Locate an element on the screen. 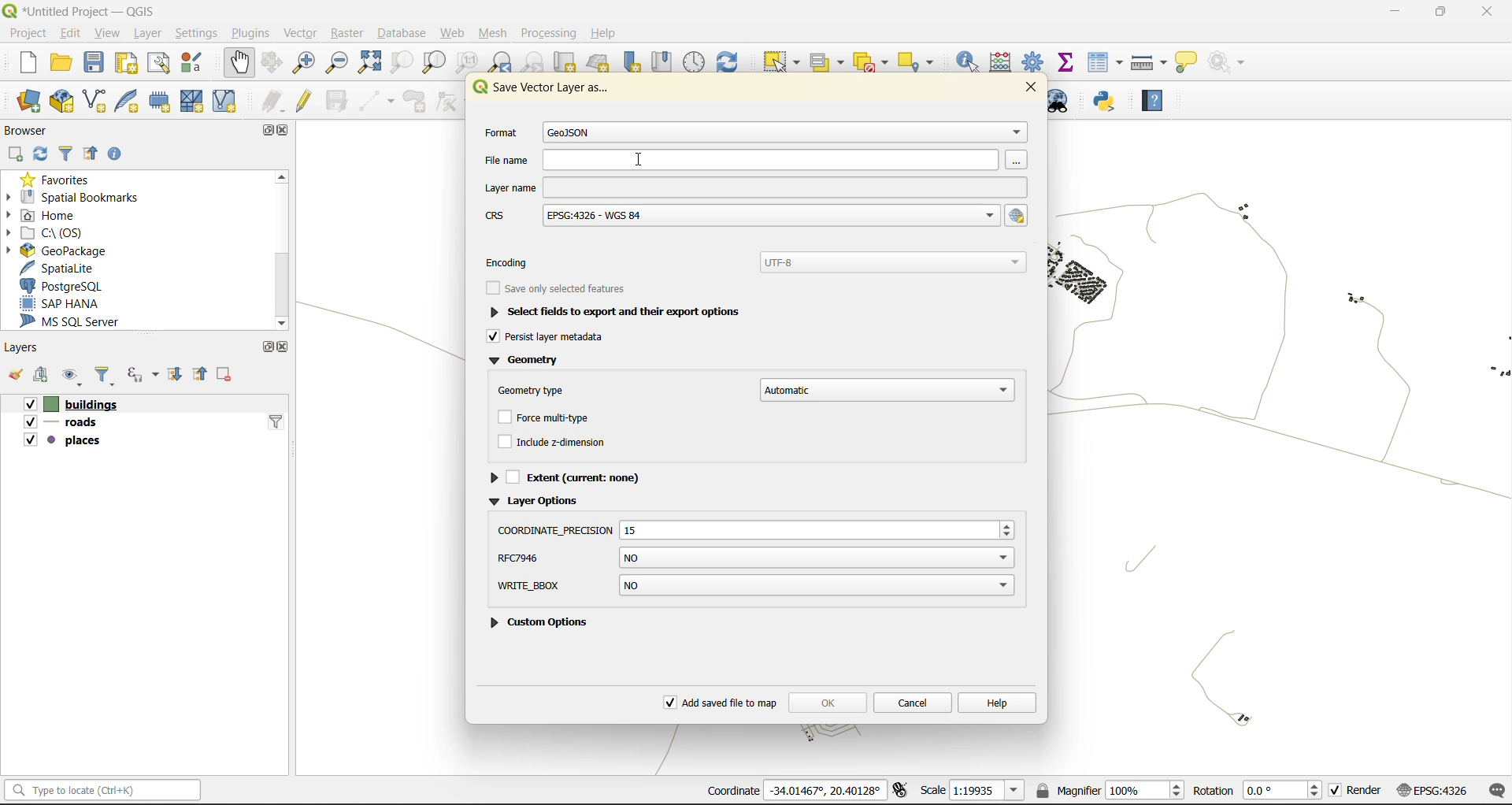 The height and width of the screenshot is (805, 1512). layer name is located at coordinates (754, 187).